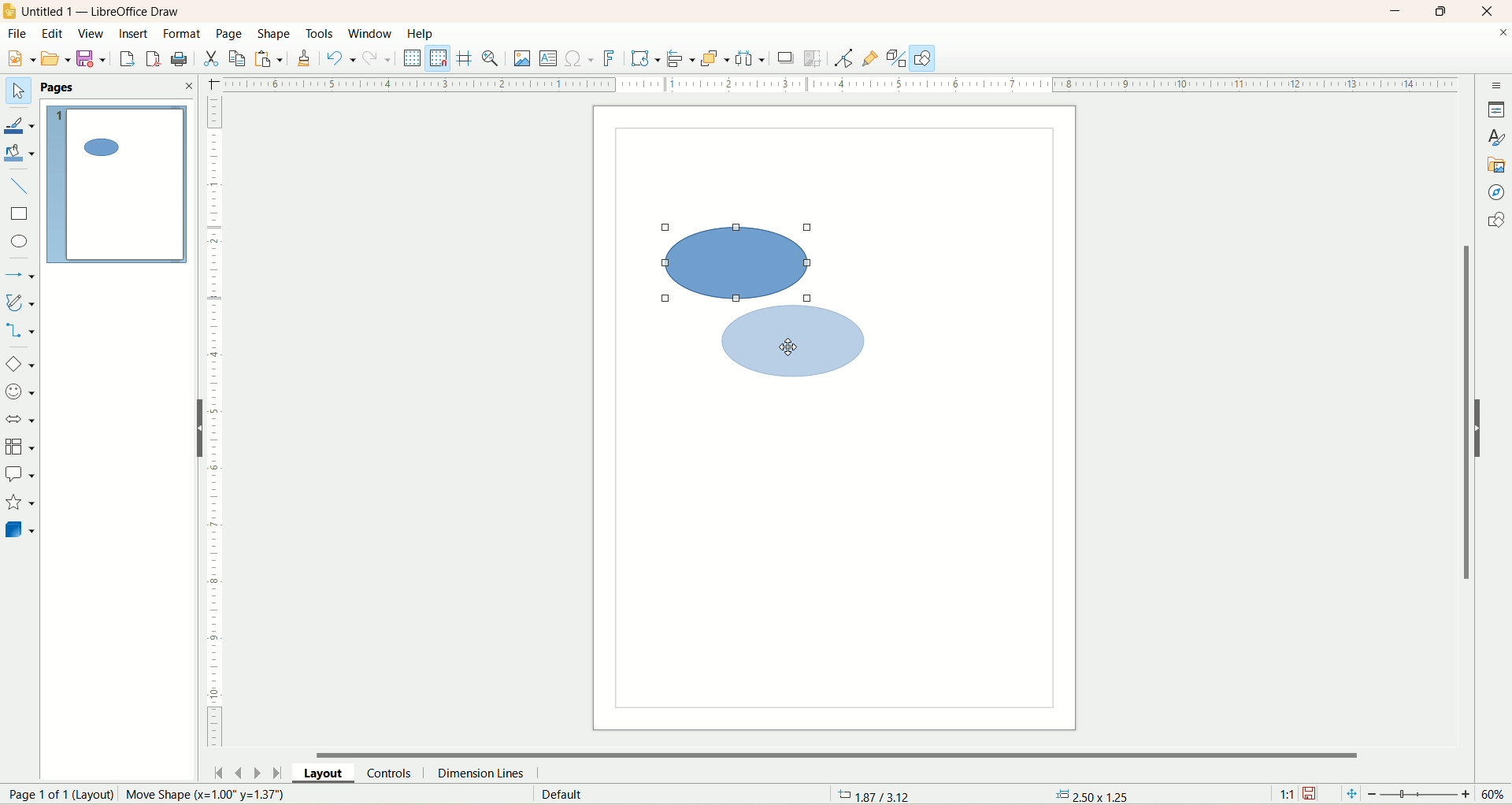 This screenshot has height=805, width=1512. I want to click on draw function, so click(925, 59).